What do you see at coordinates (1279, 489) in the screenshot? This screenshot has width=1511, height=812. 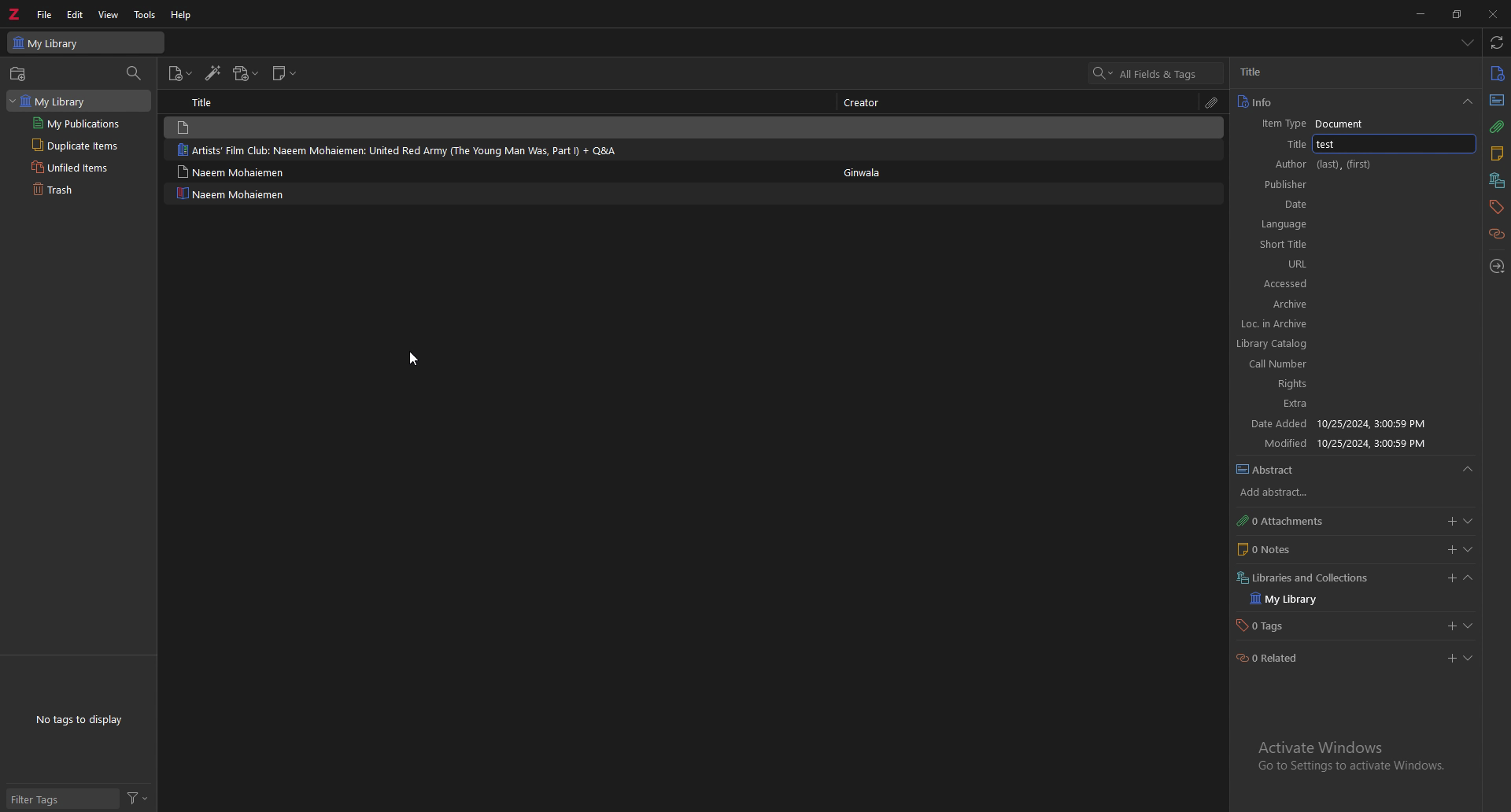 I see `archive` at bounding box center [1279, 489].